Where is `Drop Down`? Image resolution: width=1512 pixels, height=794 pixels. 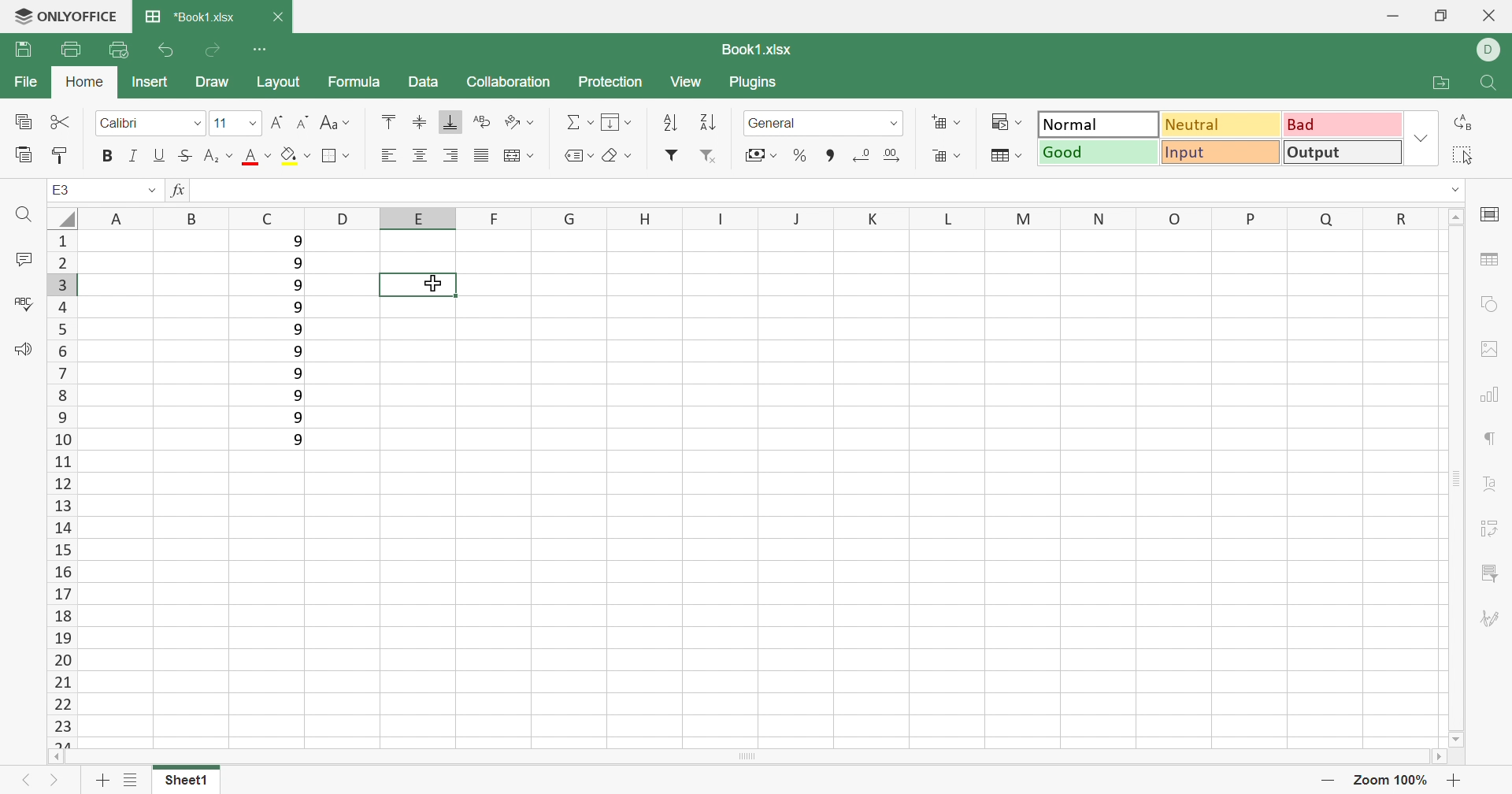
Drop Down is located at coordinates (895, 124).